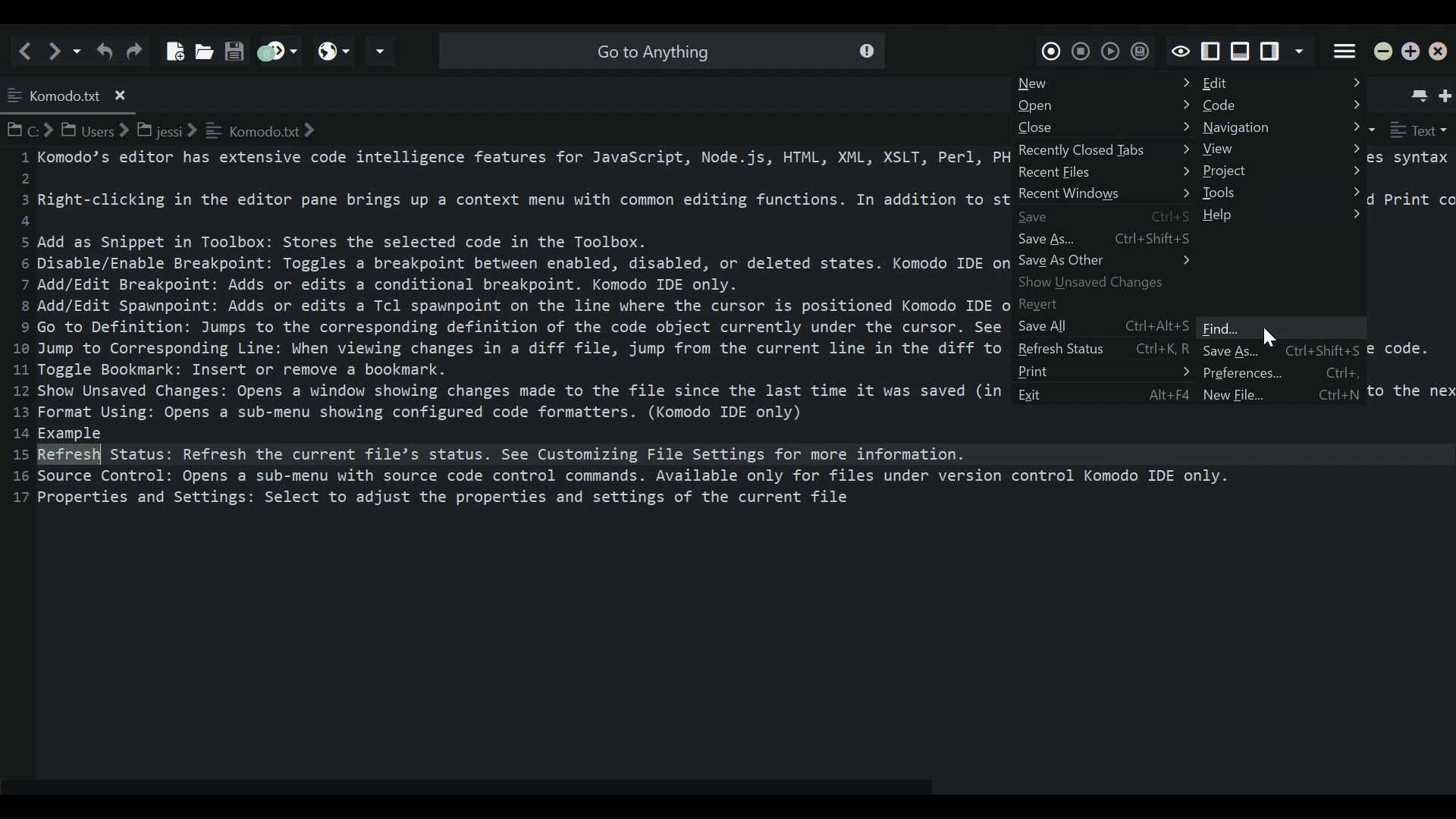 The width and height of the screenshot is (1456, 819). Describe the element at coordinates (334, 51) in the screenshot. I see `View in browser` at that location.